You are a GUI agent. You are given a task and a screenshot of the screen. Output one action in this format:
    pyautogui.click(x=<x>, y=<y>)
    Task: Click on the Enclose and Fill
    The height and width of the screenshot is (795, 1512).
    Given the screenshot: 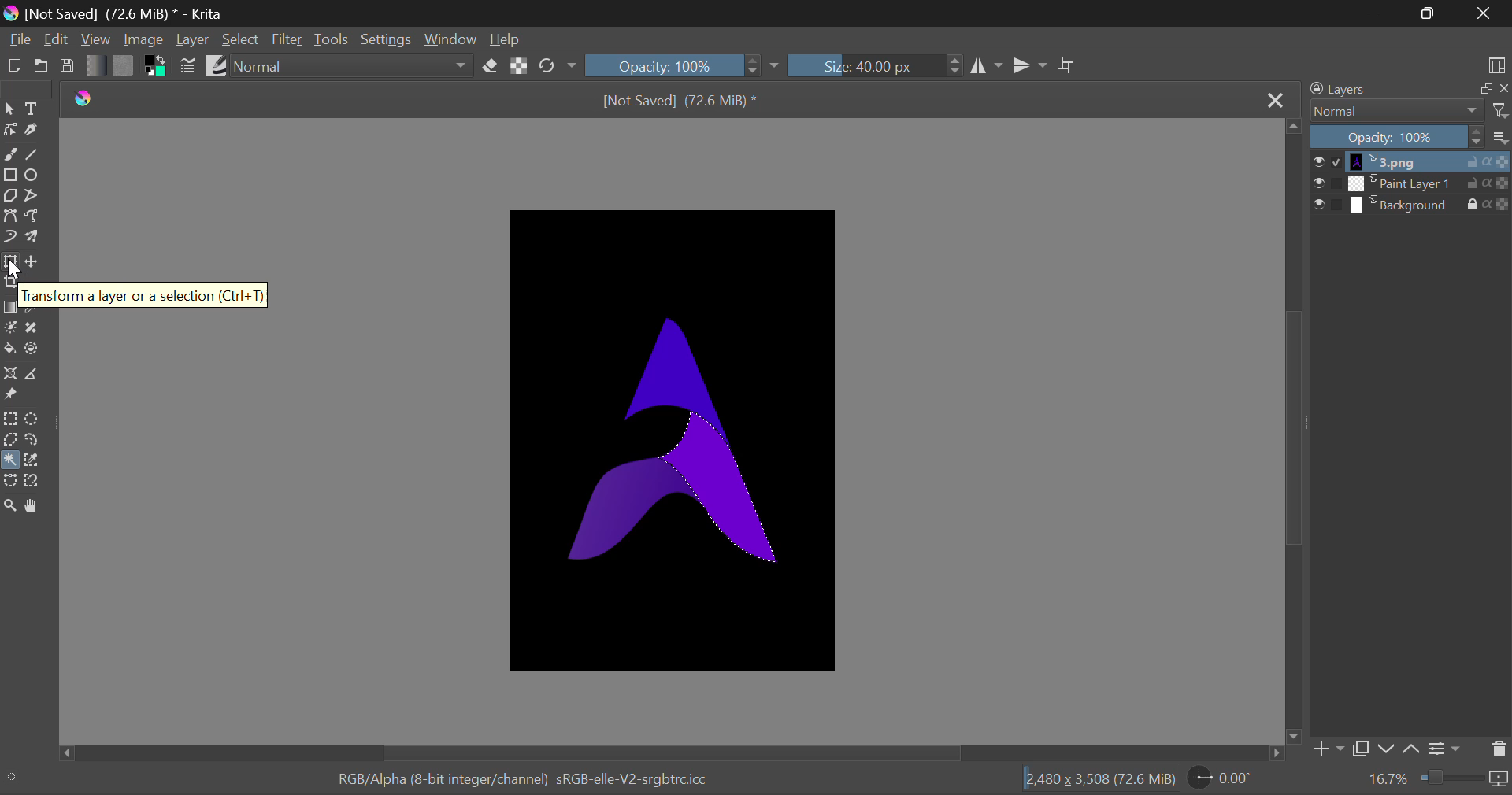 What is the action you would take?
    pyautogui.click(x=36, y=351)
    